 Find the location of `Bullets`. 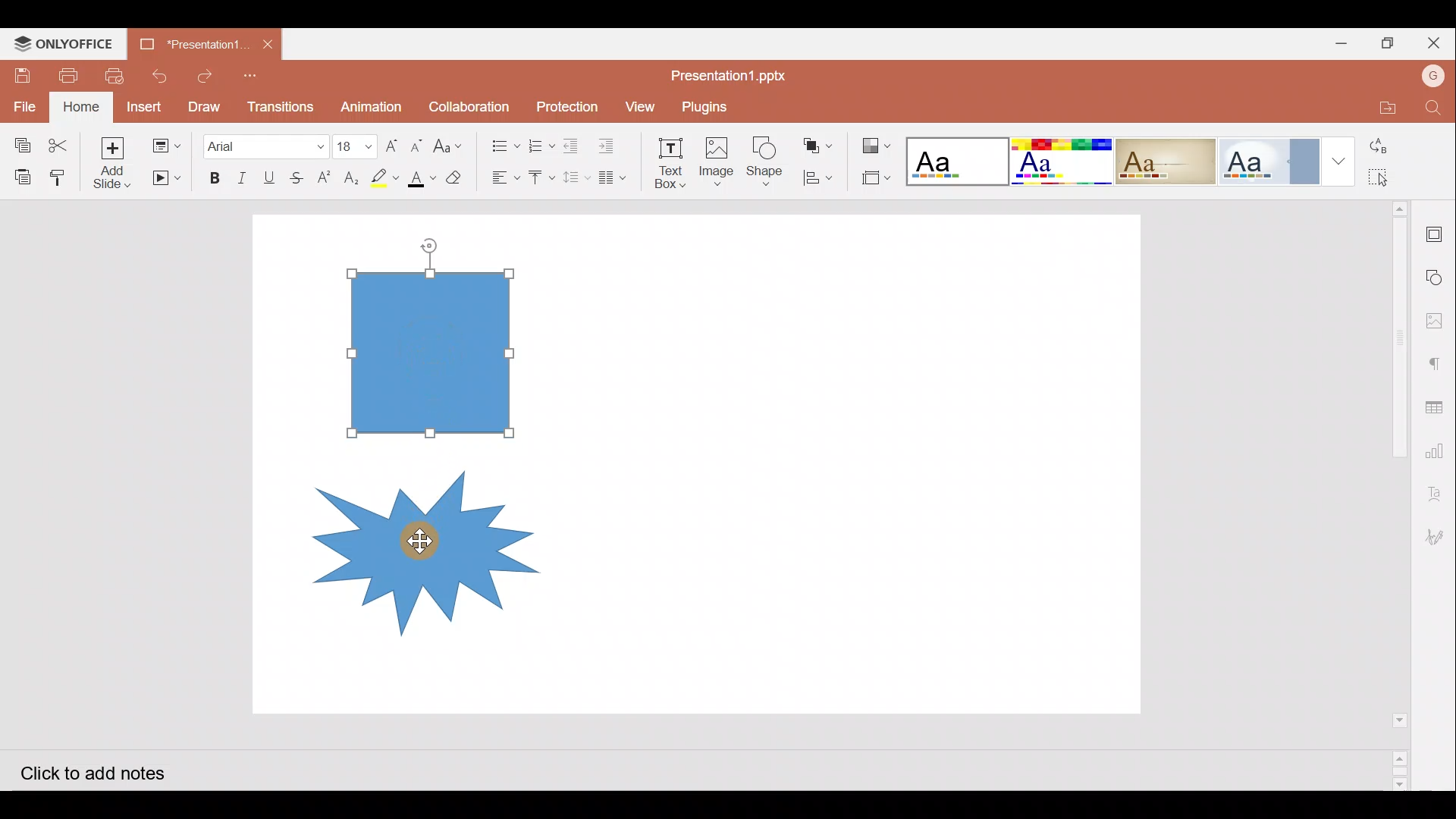

Bullets is located at coordinates (500, 142).